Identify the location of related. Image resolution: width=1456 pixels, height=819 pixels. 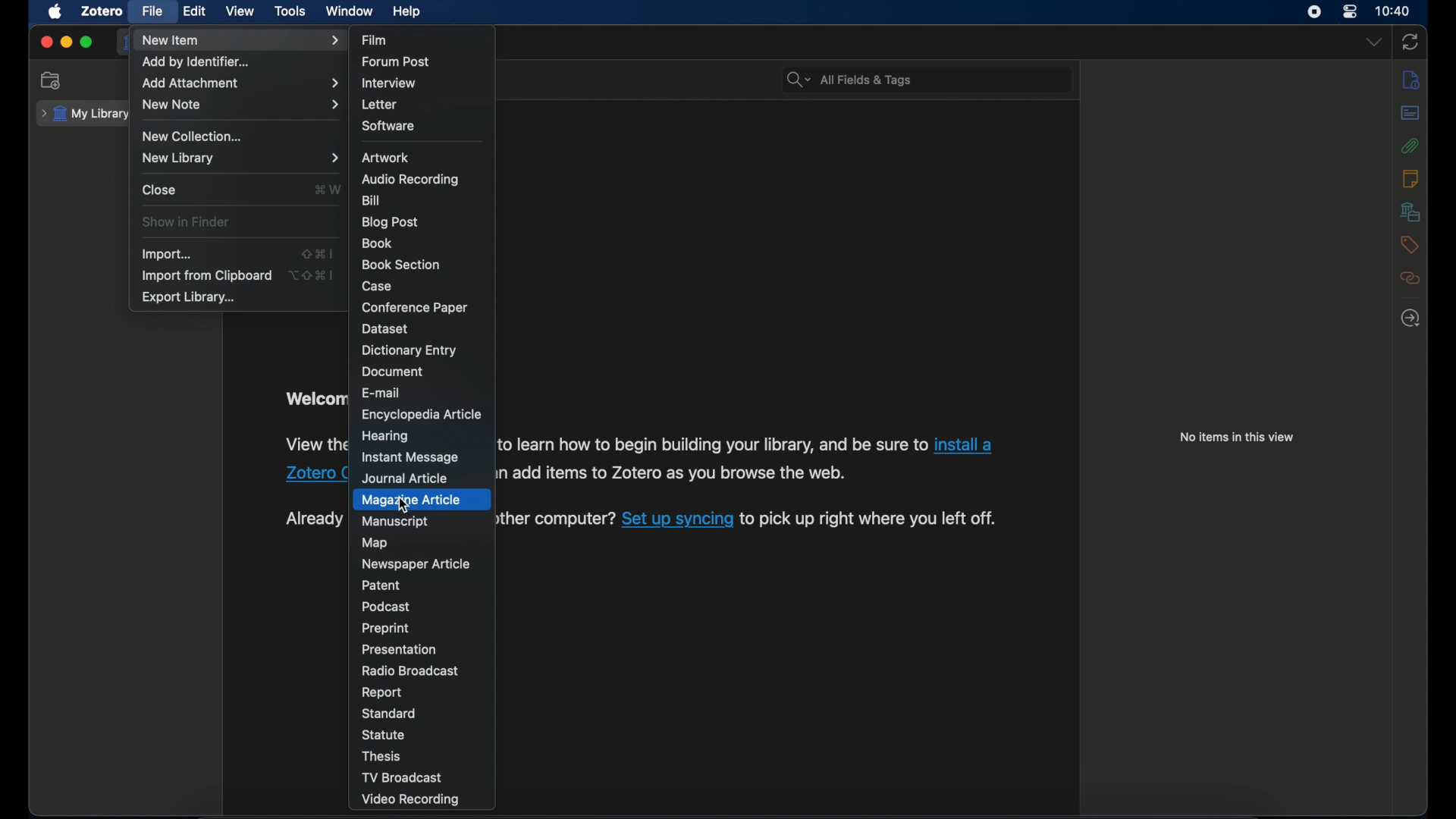
(1410, 278).